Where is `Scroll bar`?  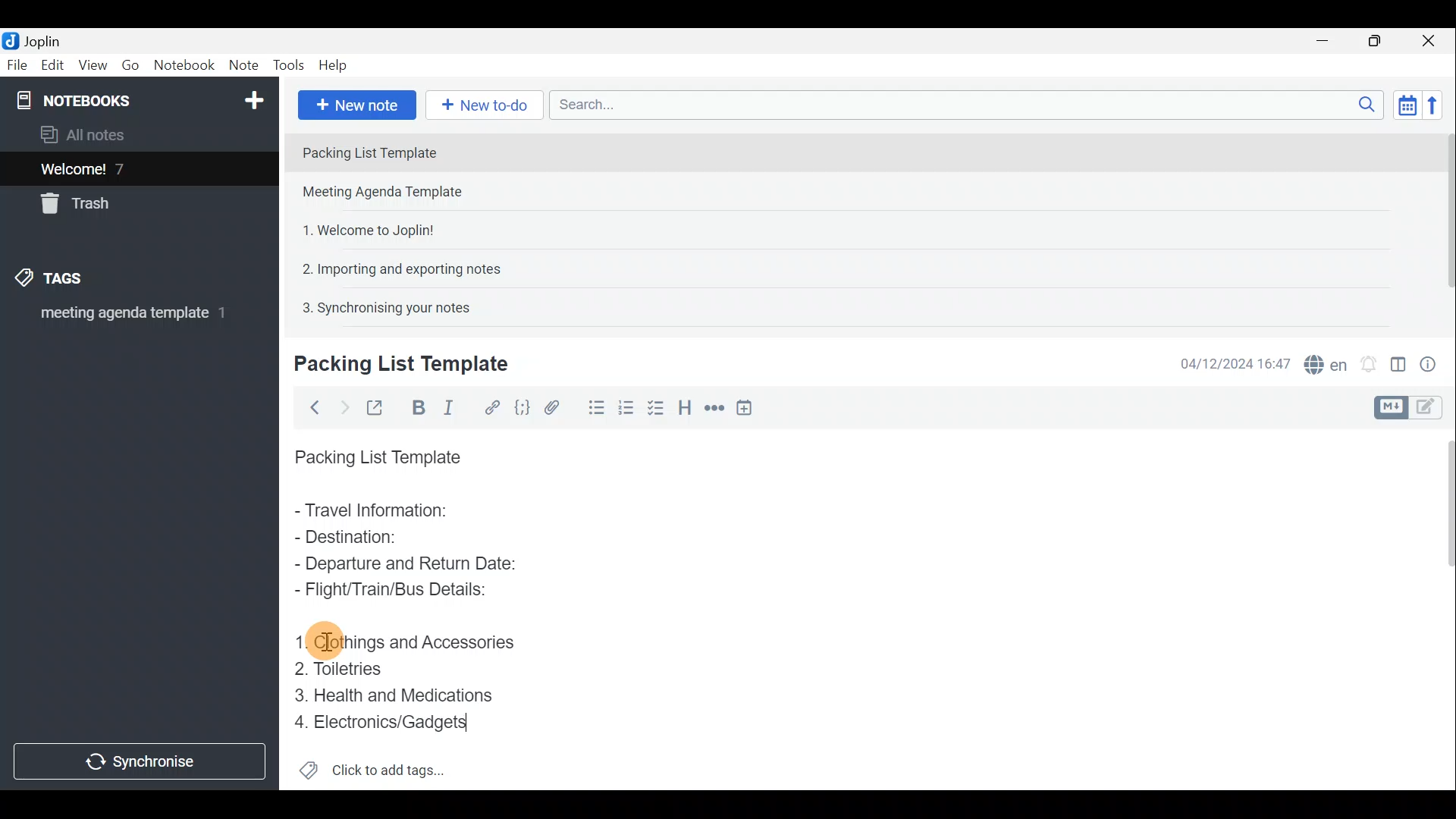
Scroll bar is located at coordinates (1442, 221).